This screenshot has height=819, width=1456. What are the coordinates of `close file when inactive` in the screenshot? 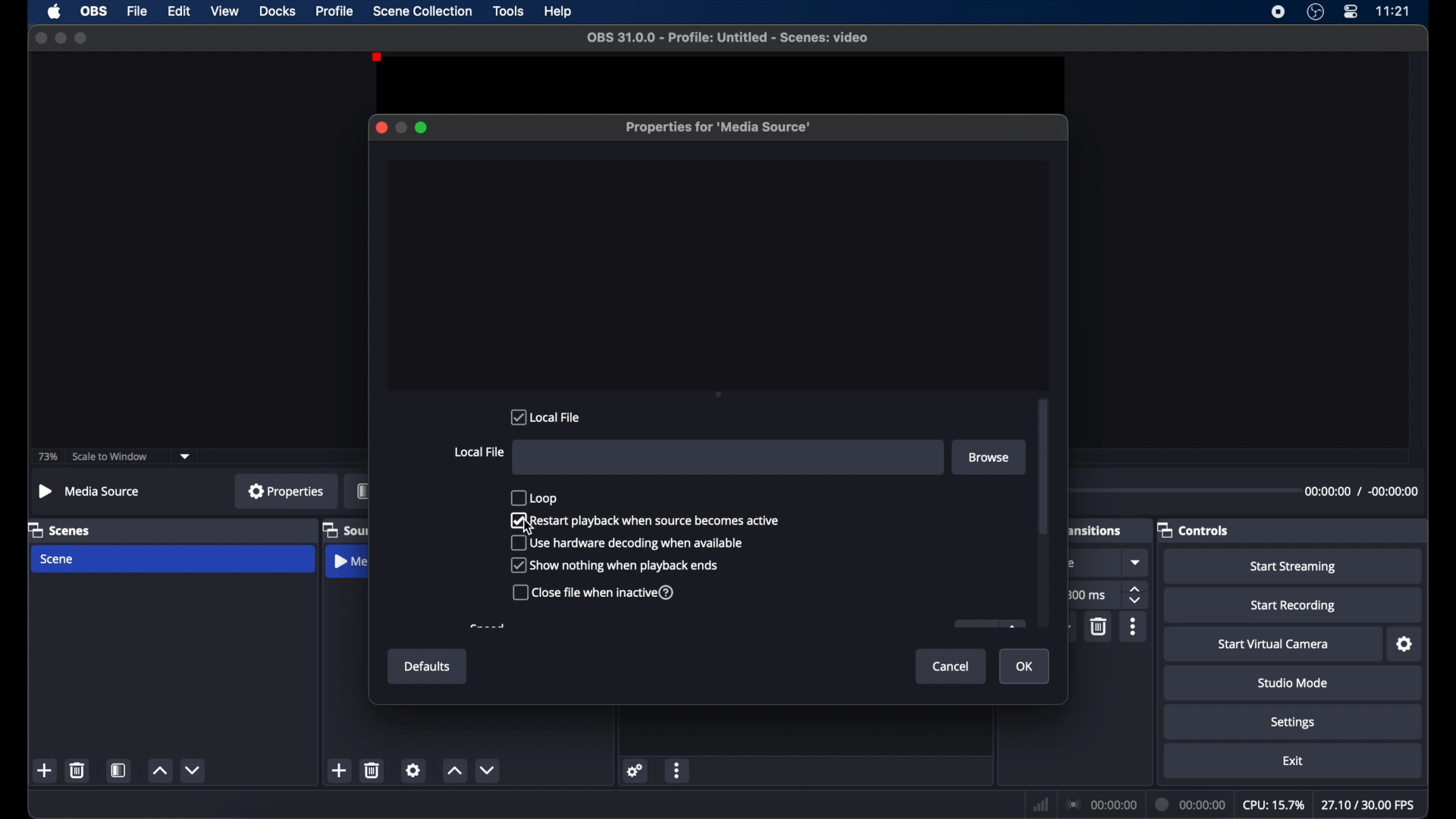 It's located at (593, 591).